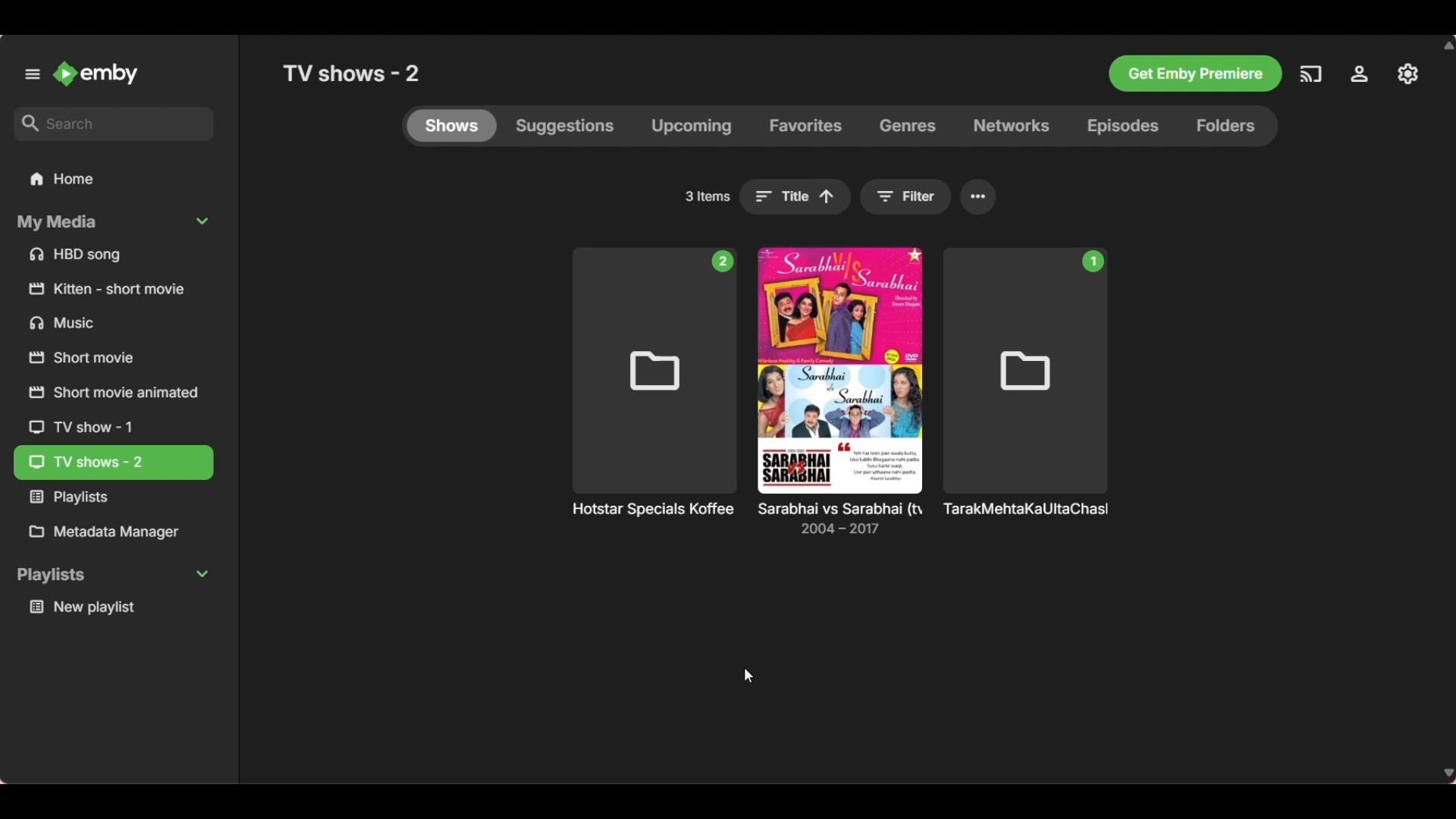 The image size is (1456, 819). What do you see at coordinates (839, 371) in the screenshot?
I see `Cover image of respective TV show` at bounding box center [839, 371].